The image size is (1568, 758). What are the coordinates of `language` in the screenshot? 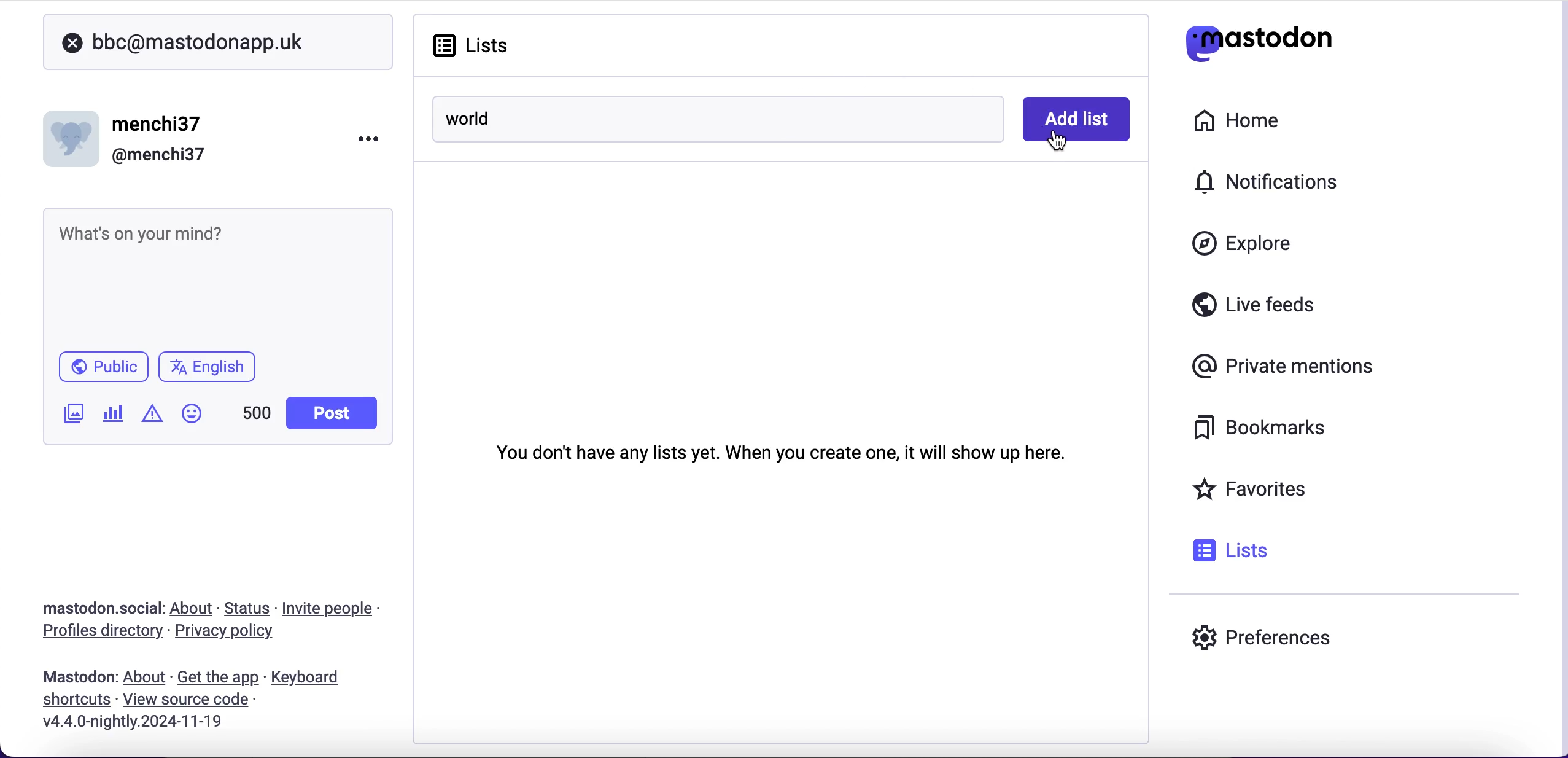 It's located at (212, 372).